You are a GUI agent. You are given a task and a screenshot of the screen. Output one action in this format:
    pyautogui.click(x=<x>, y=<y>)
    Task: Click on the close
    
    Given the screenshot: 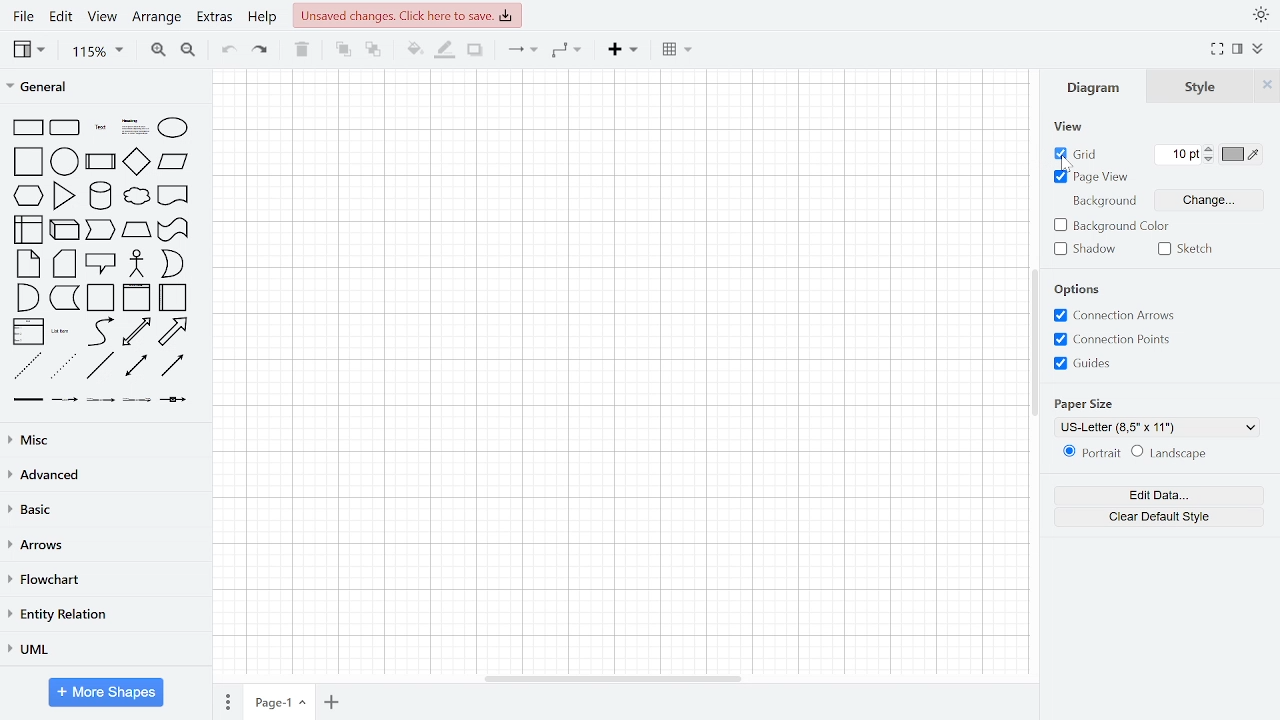 What is the action you would take?
    pyautogui.click(x=1269, y=86)
    